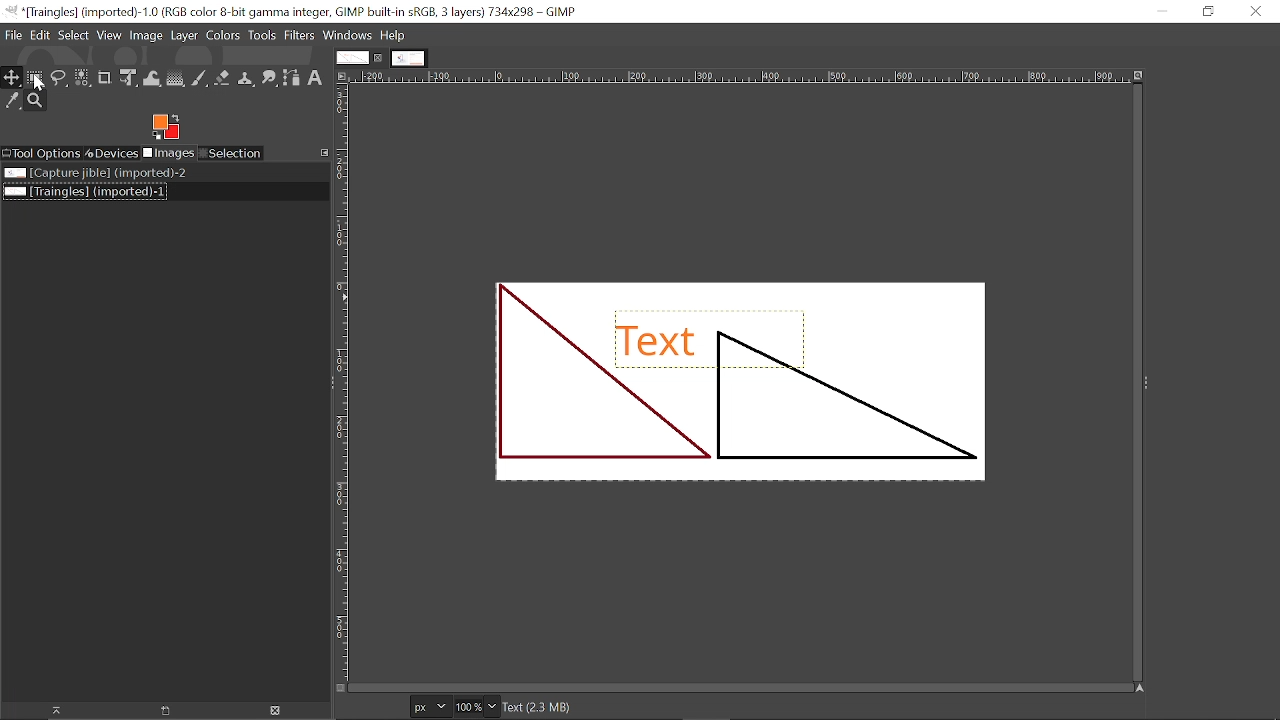 The height and width of the screenshot is (720, 1280). What do you see at coordinates (111, 152) in the screenshot?
I see `Devices` at bounding box center [111, 152].